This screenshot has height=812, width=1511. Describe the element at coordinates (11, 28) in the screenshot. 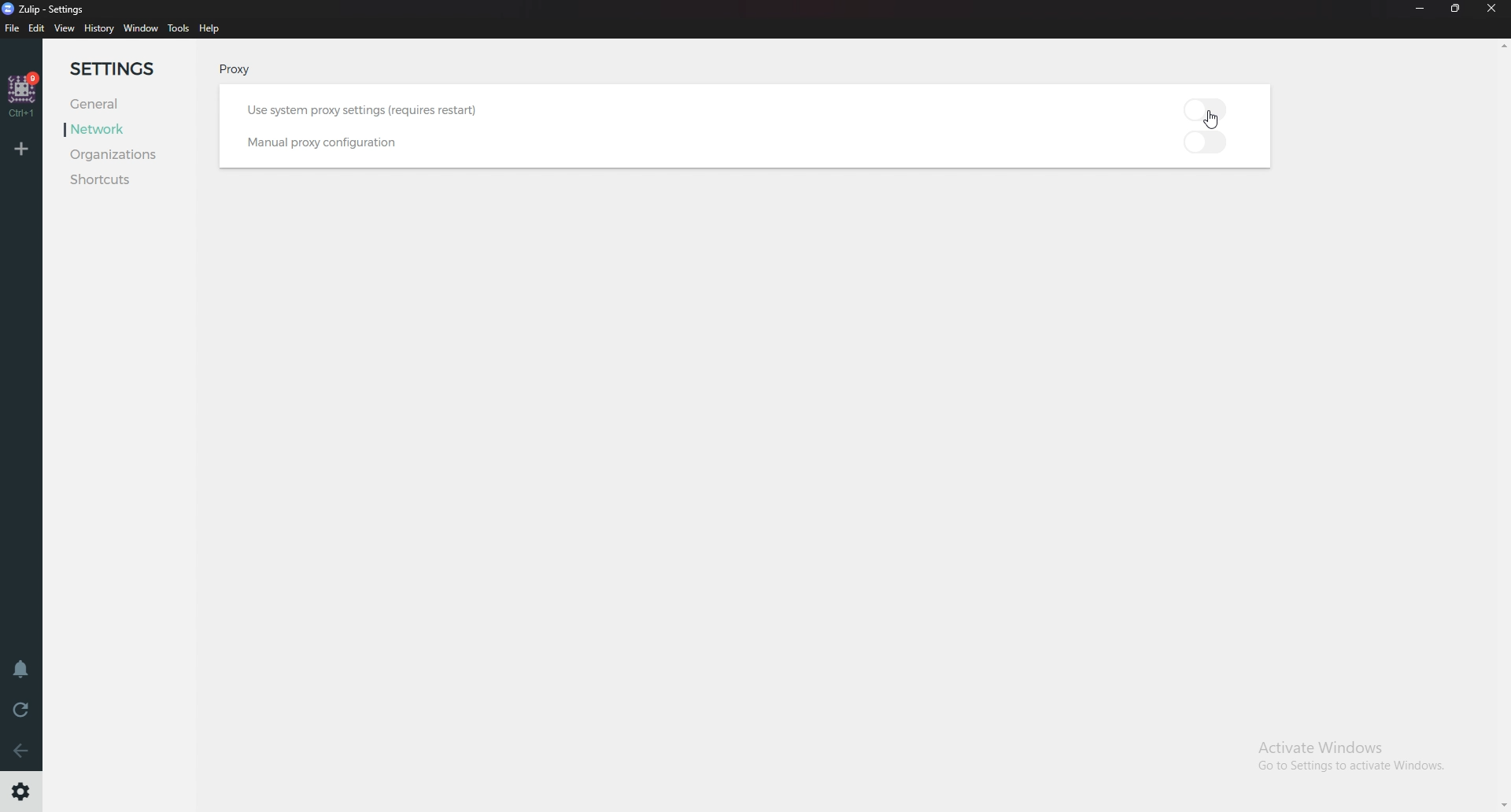

I see `file` at that location.